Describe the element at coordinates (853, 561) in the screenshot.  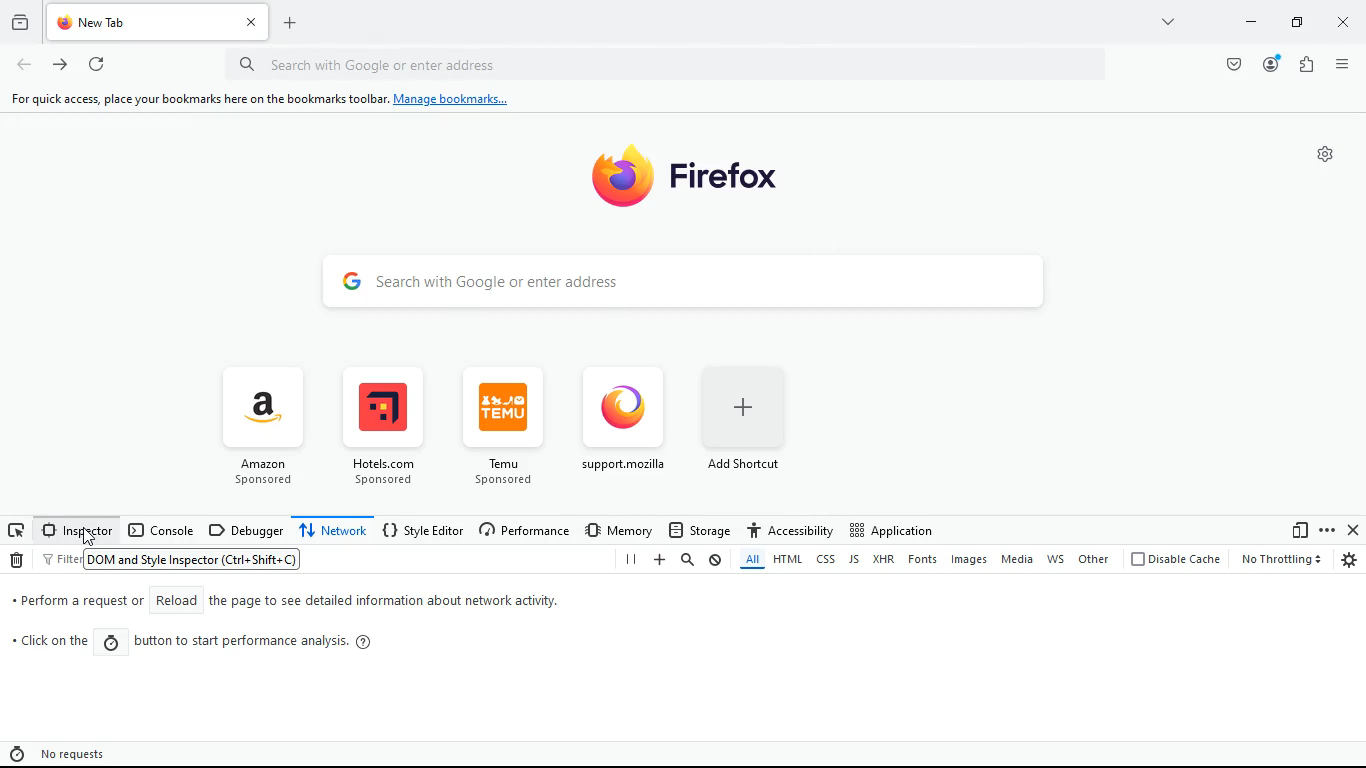
I see `js` at that location.